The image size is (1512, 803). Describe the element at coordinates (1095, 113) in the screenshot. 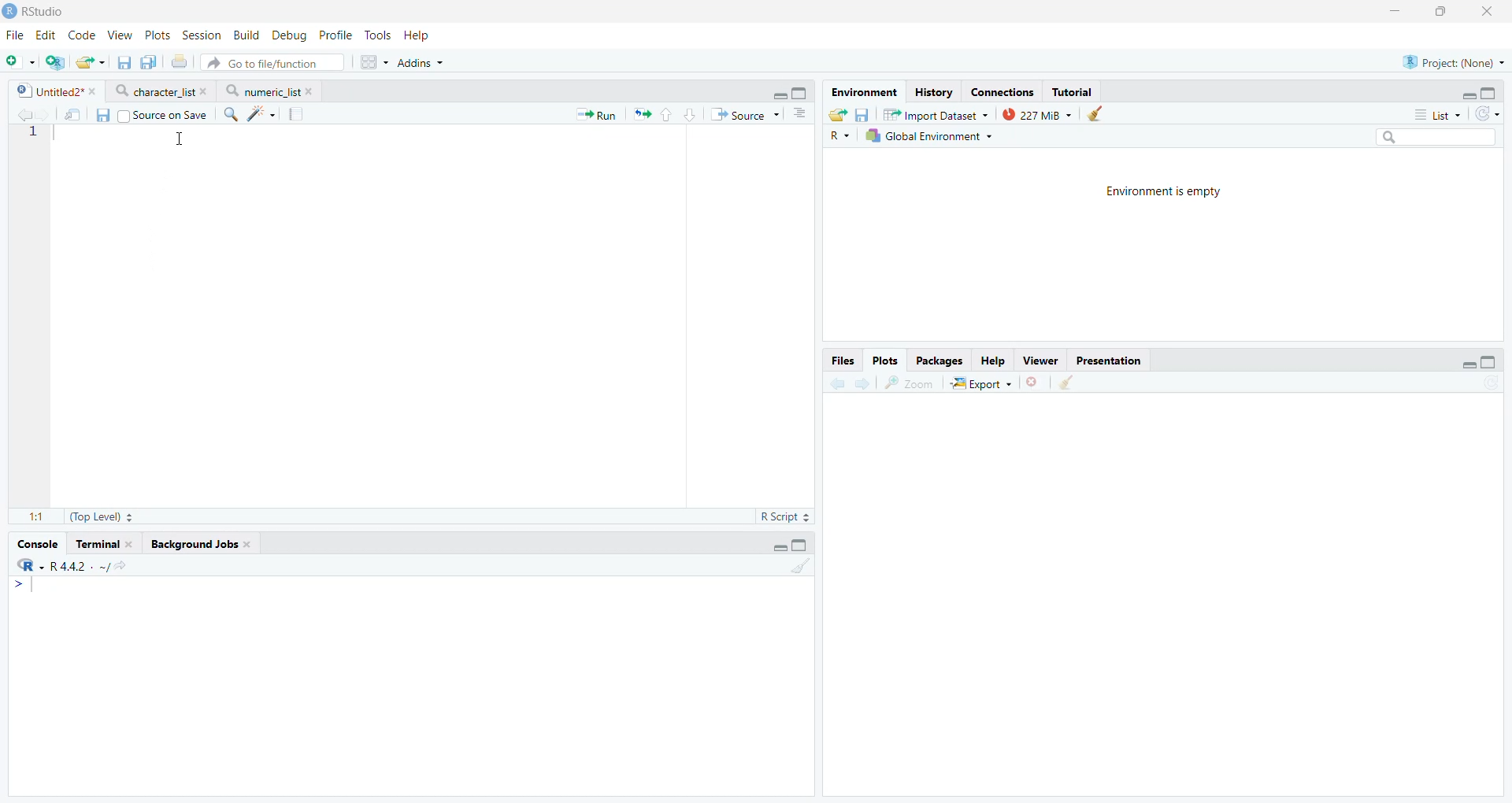

I see `Clear` at that location.